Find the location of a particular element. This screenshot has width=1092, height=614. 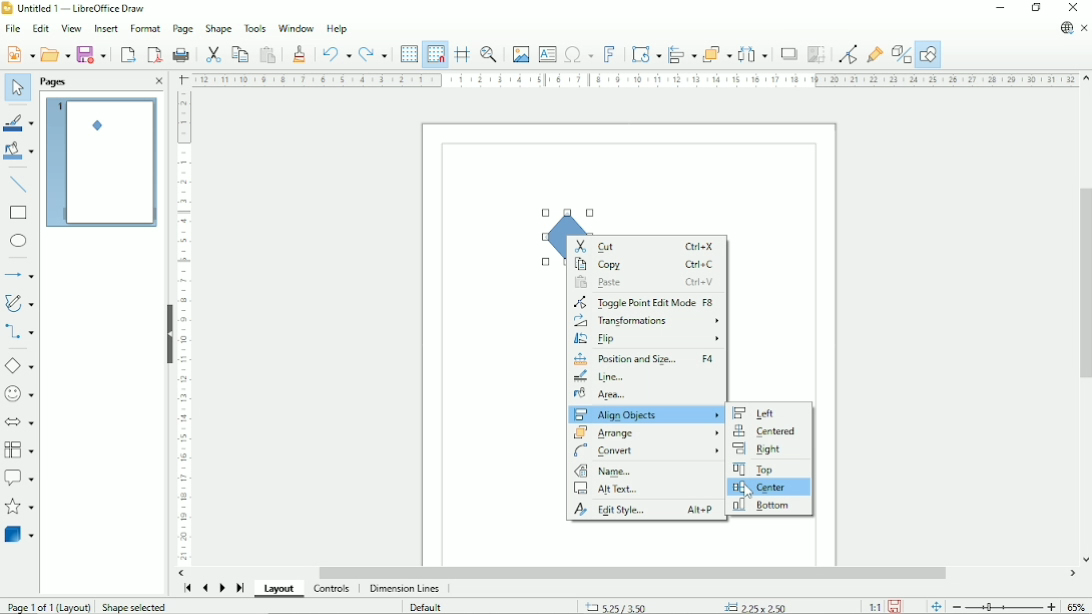

Snap to grid is located at coordinates (436, 54).